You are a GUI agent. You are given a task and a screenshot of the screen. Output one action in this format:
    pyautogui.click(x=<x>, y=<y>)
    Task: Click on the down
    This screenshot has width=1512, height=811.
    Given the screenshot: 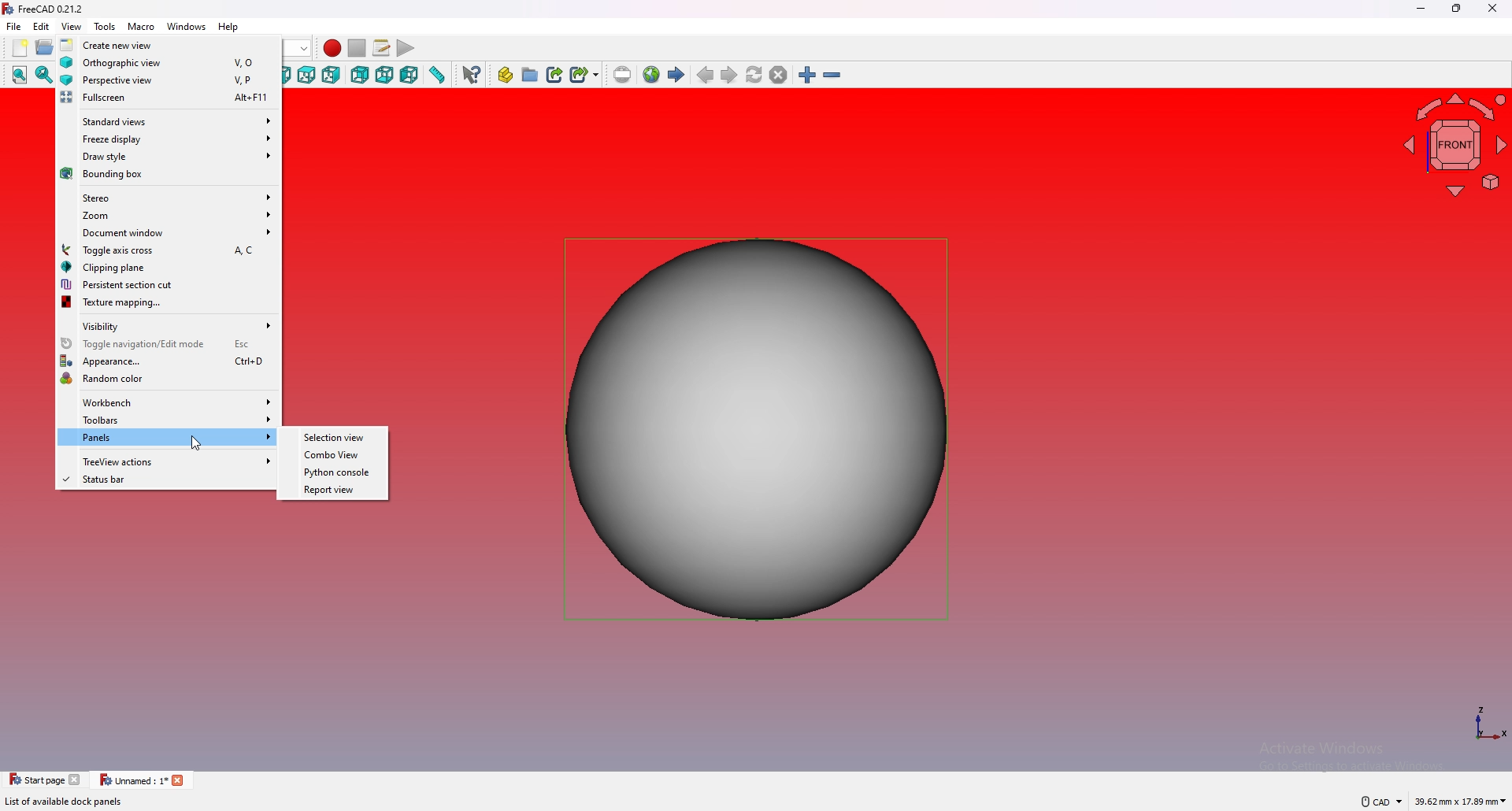 What is the action you would take?
    pyautogui.click(x=302, y=49)
    